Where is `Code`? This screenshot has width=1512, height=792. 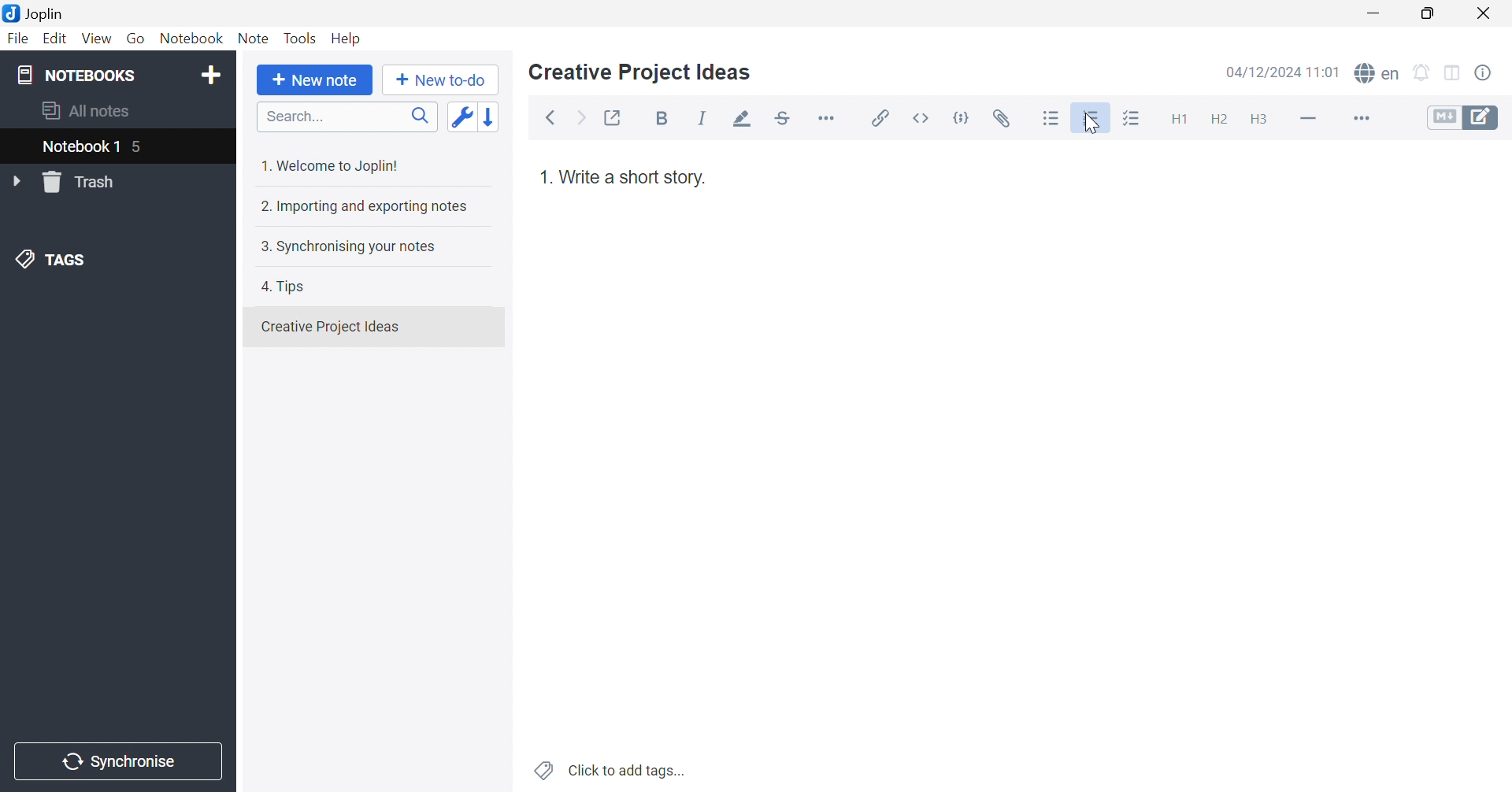 Code is located at coordinates (965, 117).